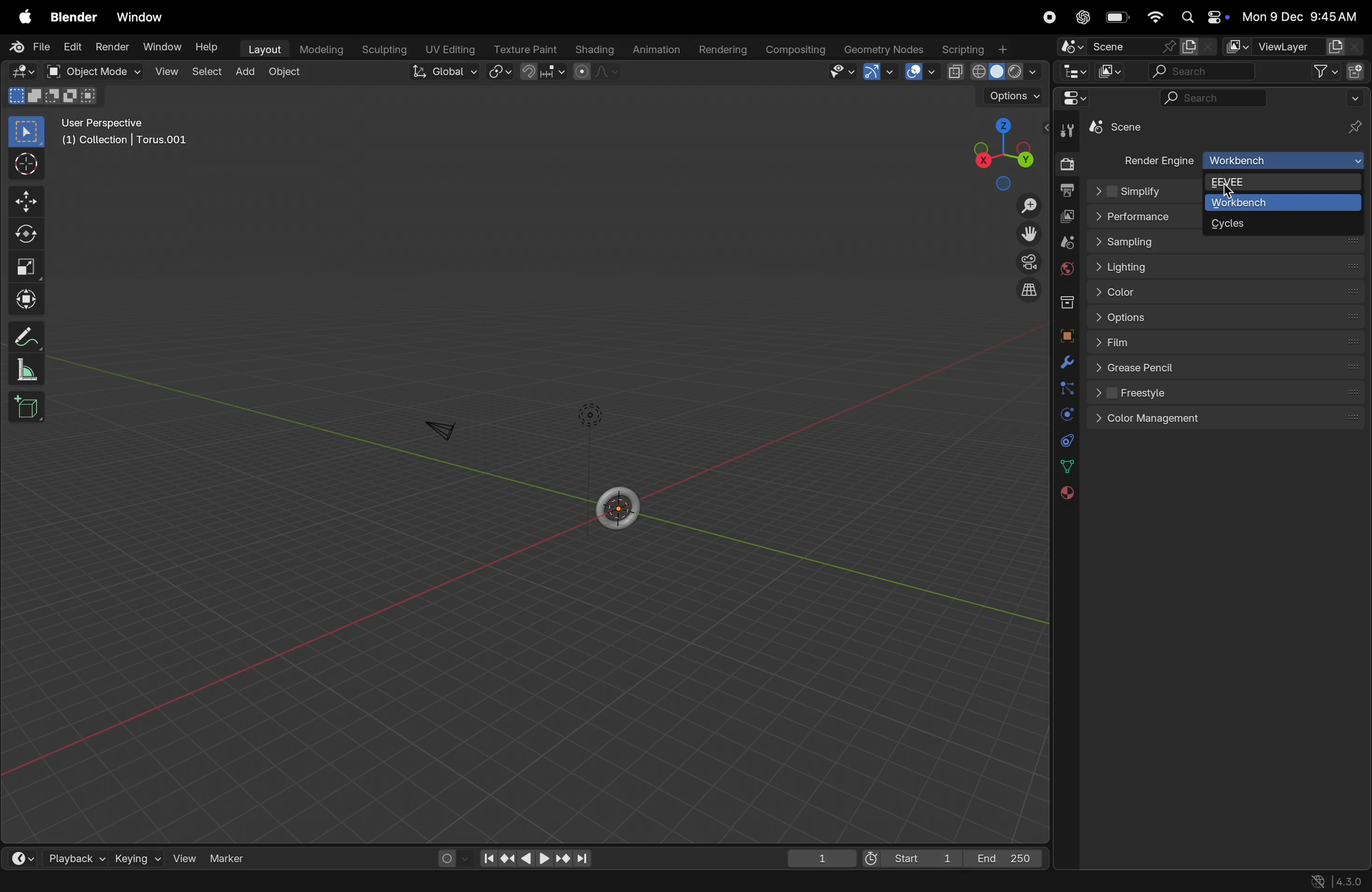  What do you see at coordinates (536, 860) in the screenshot?
I see `play back controls` at bounding box center [536, 860].